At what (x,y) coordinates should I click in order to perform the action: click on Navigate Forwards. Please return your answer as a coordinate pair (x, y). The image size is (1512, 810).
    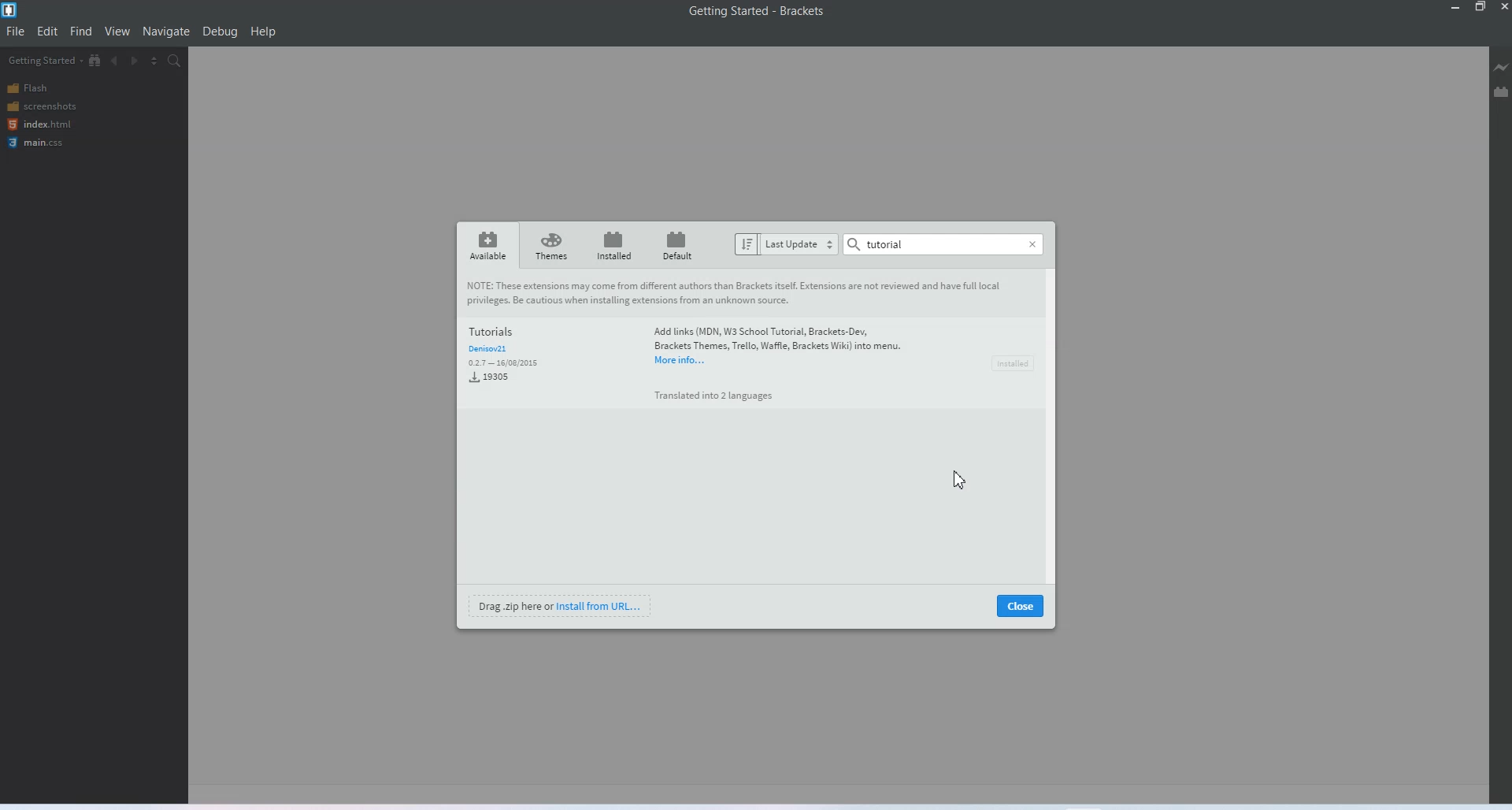
    Looking at the image, I should click on (136, 61).